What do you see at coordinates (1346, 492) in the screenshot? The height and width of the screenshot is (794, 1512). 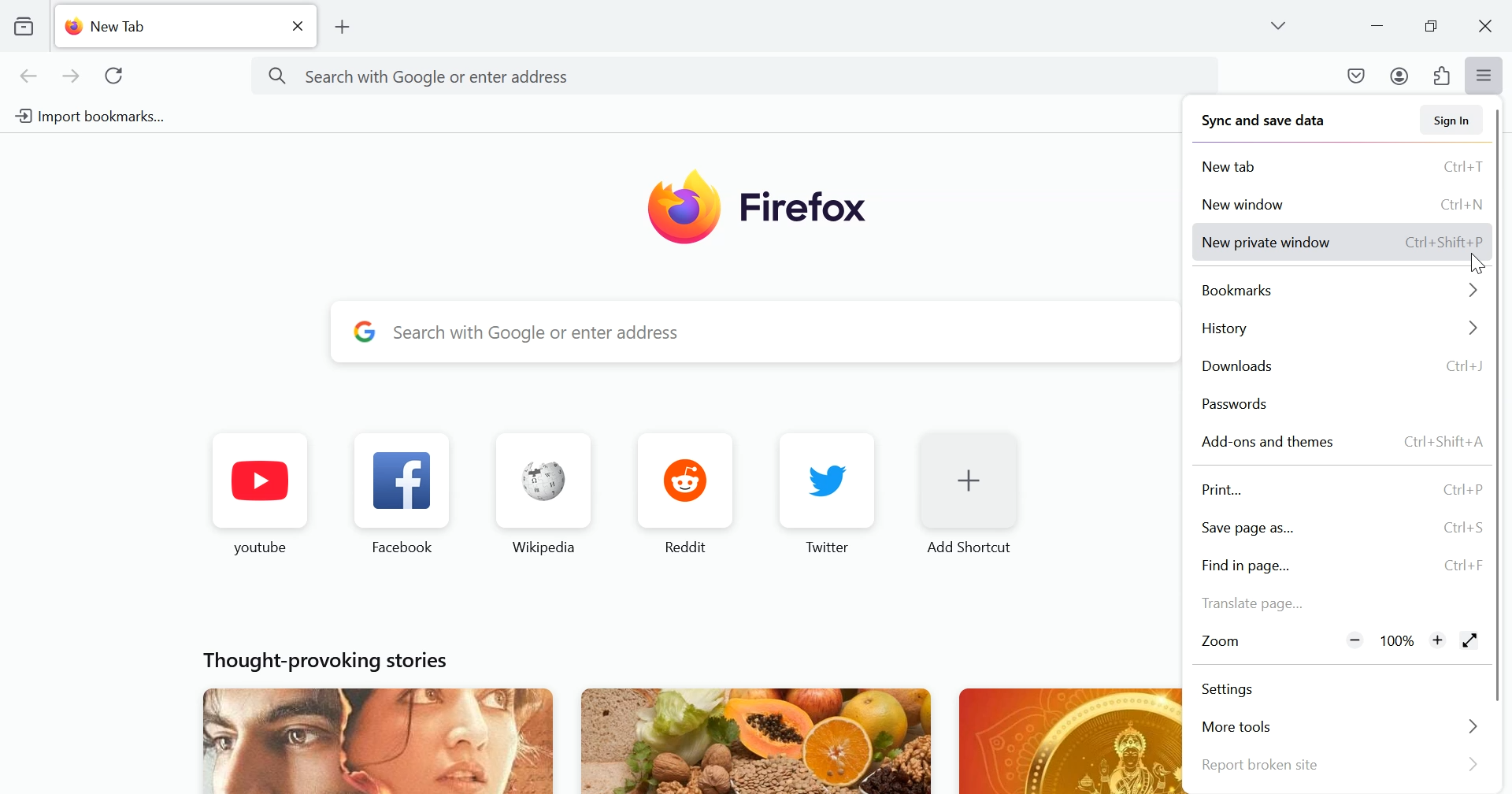 I see `print...` at bounding box center [1346, 492].